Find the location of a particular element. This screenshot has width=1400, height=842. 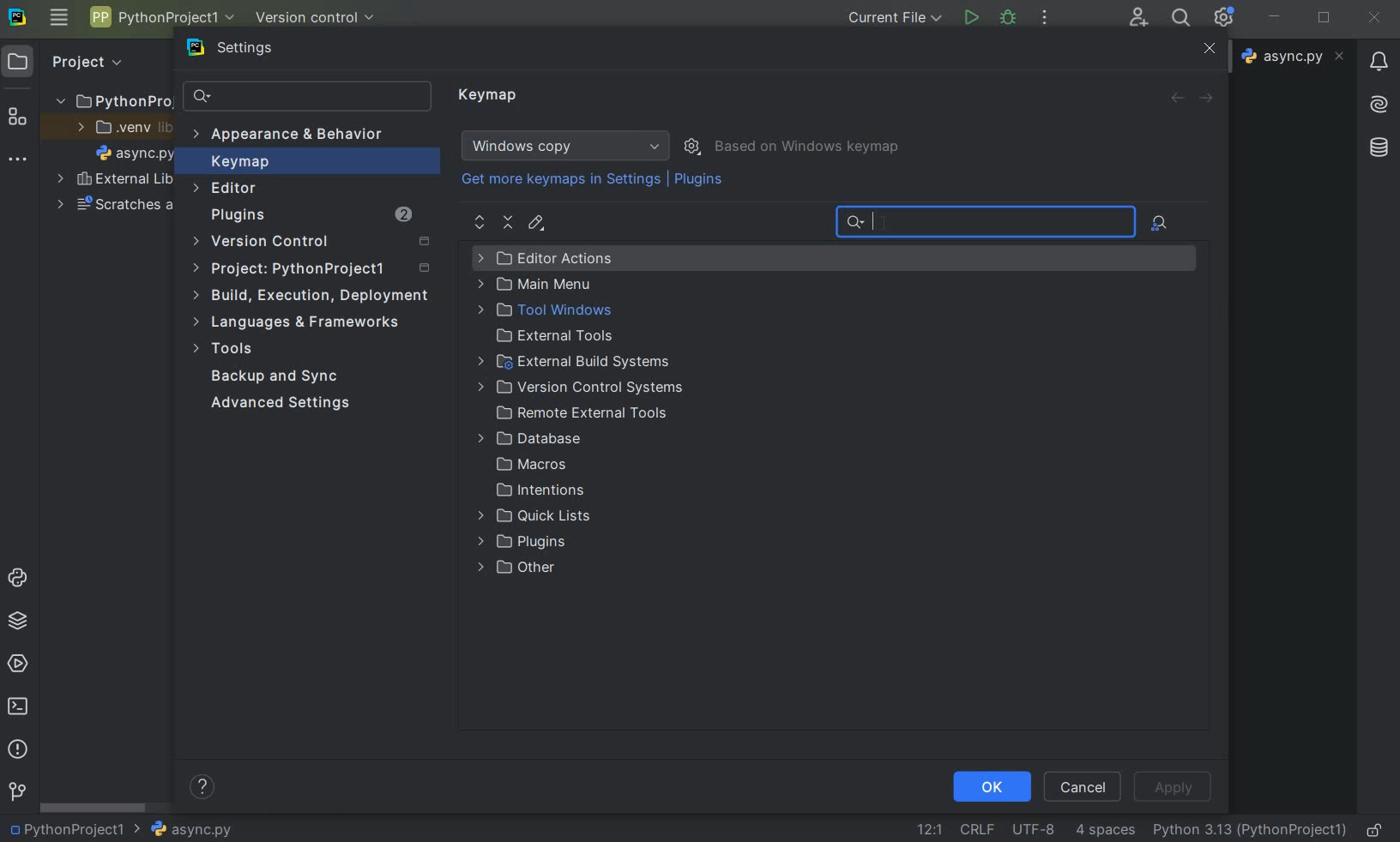

based on windows keymap is located at coordinates (808, 147).